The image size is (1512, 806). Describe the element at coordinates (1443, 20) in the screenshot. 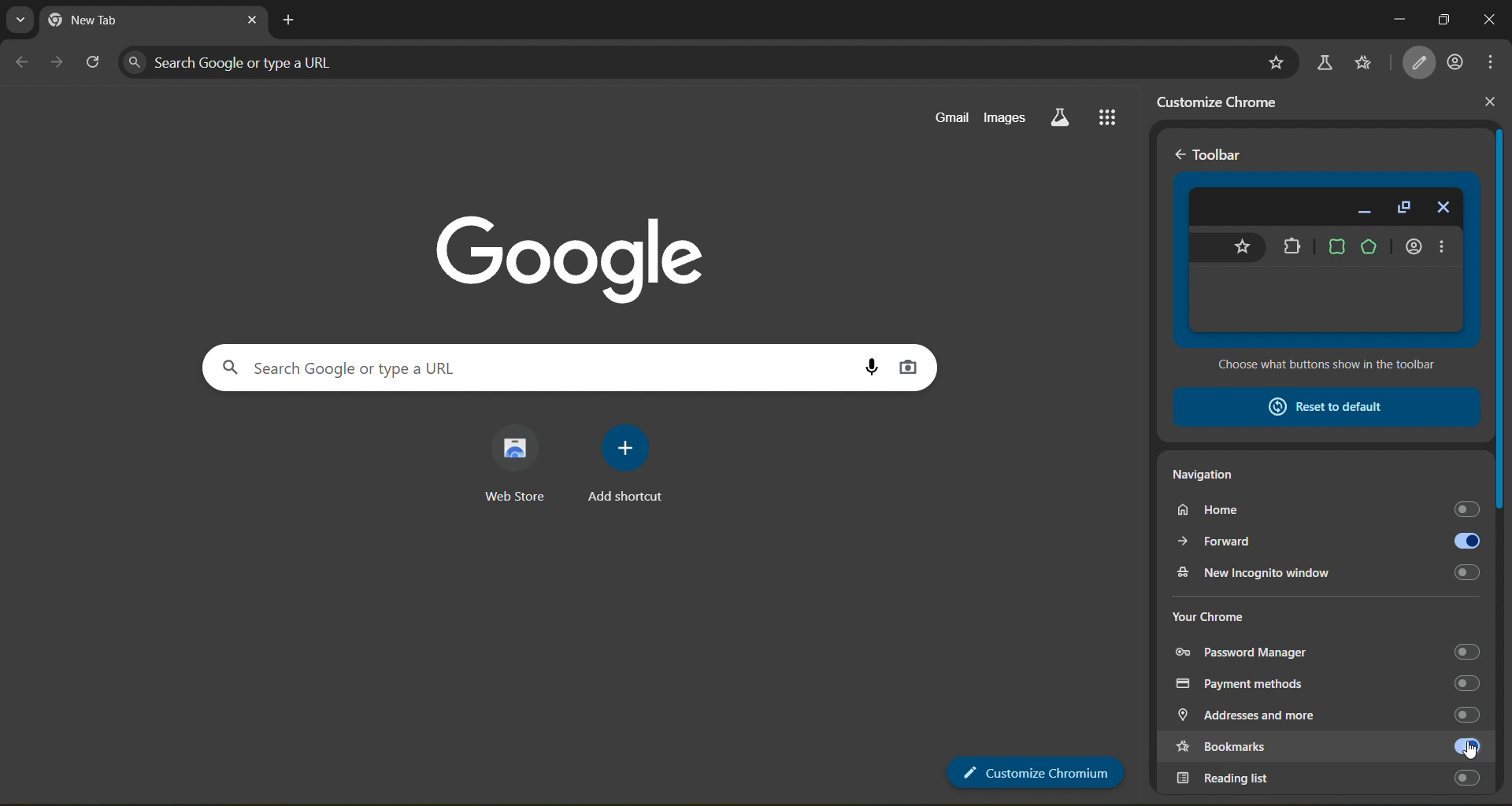

I see `maximize` at that location.